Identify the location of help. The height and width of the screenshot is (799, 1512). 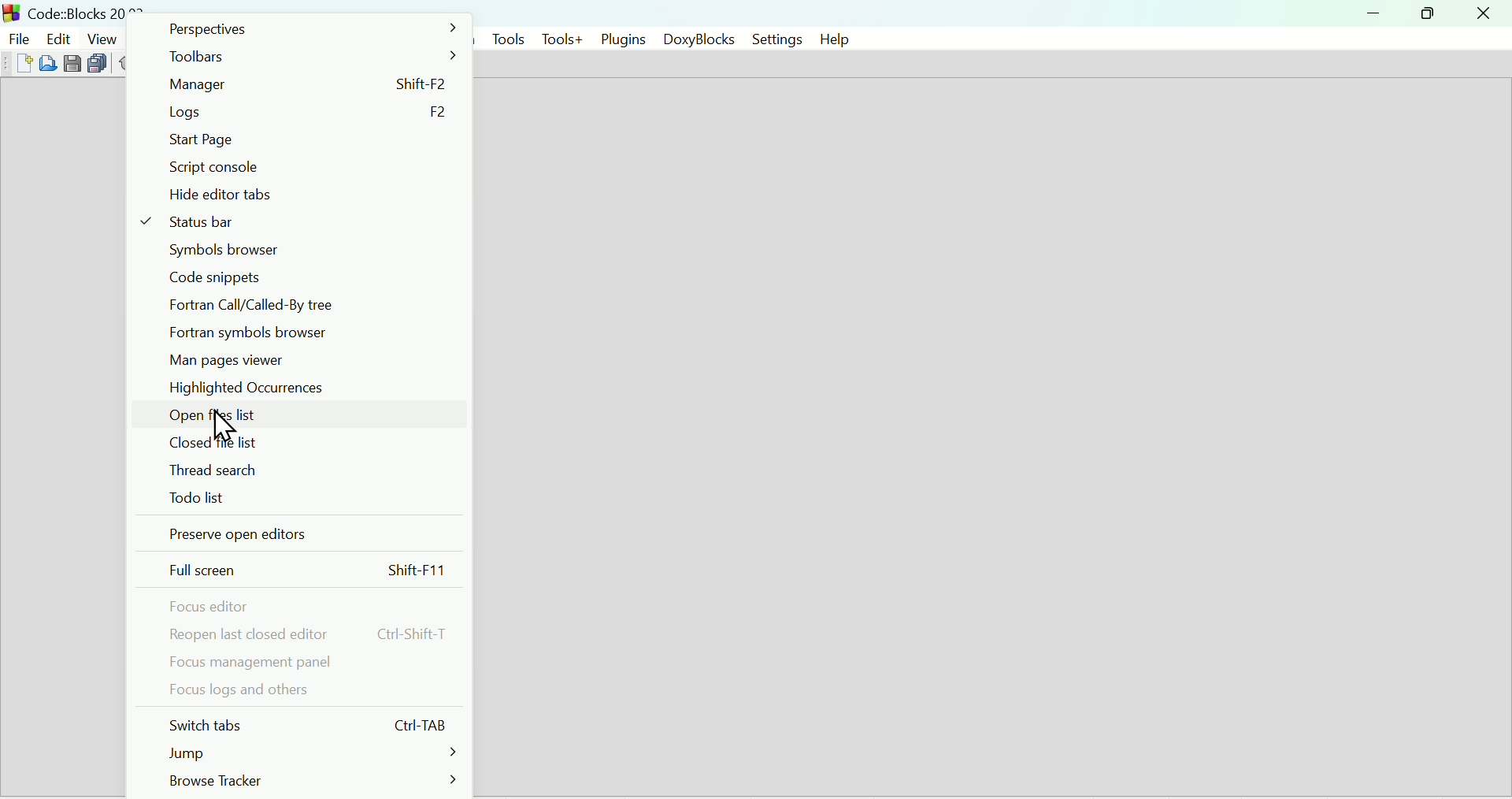
(832, 39).